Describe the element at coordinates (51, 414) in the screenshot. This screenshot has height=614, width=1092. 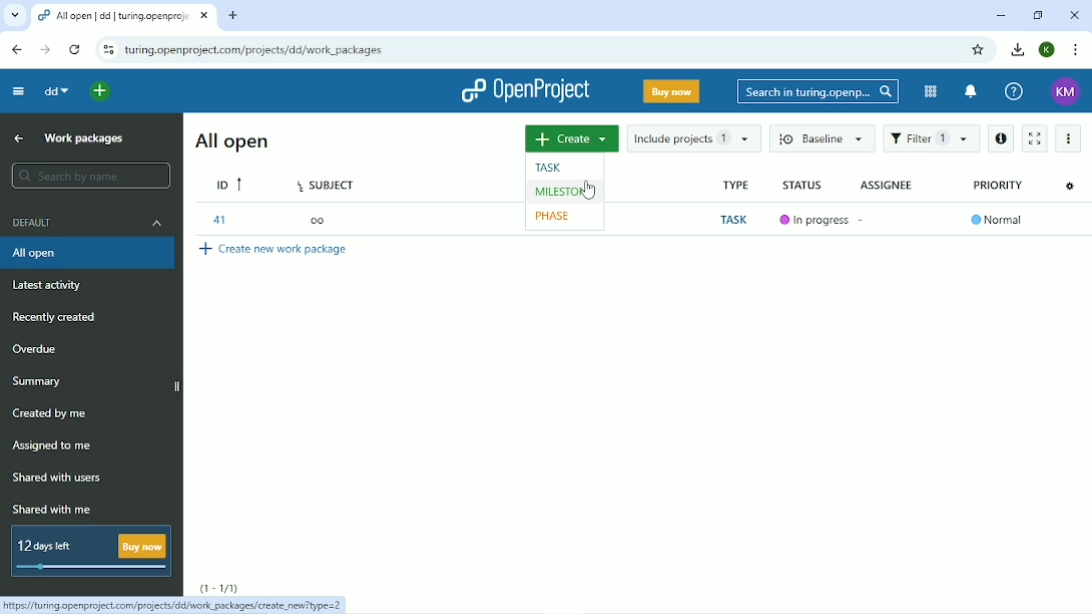
I see `Created by me` at that location.